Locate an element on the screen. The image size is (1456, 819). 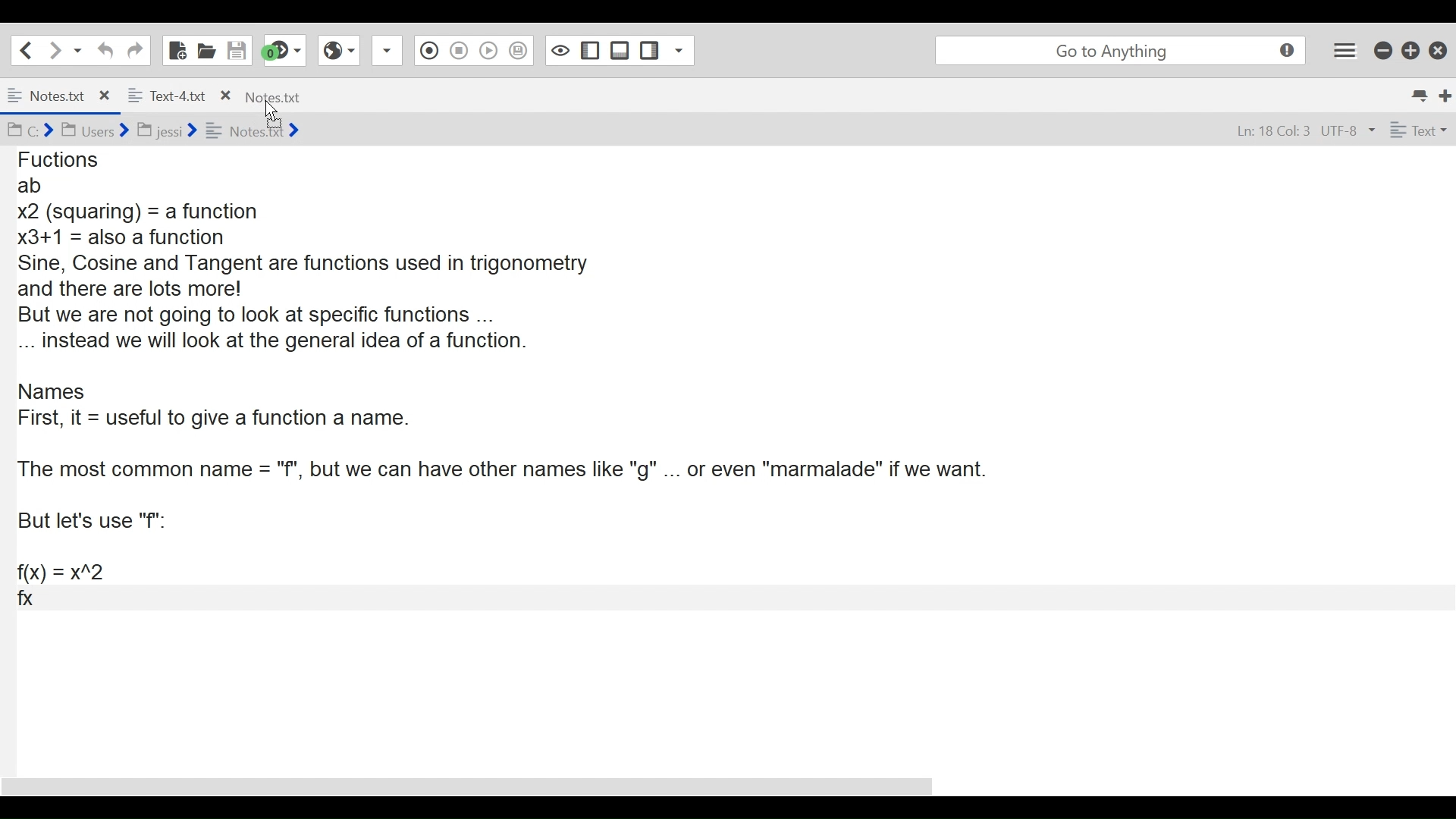
Save is located at coordinates (237, 49).